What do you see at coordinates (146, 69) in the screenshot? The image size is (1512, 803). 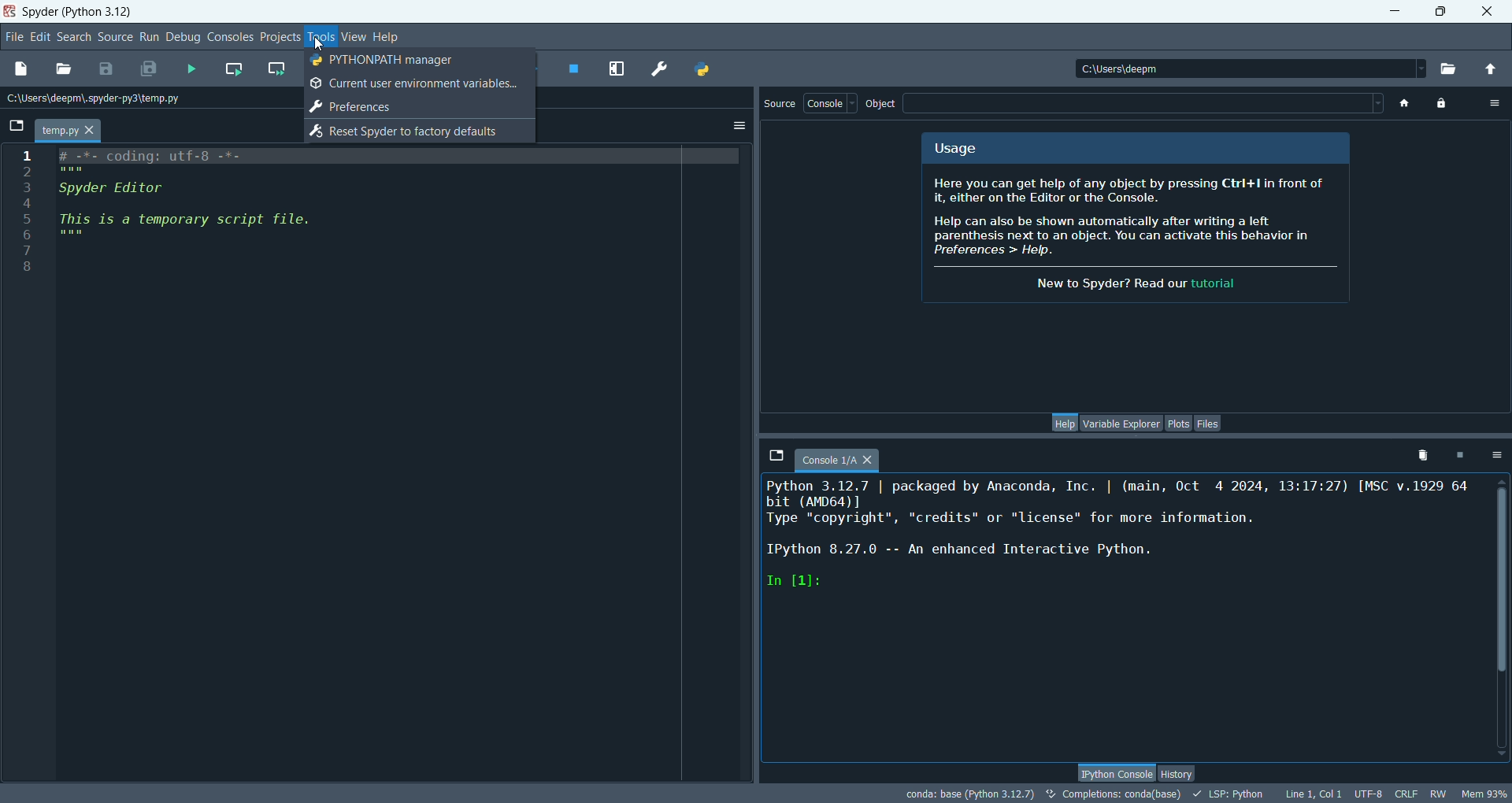 I see `save all files` at bounding box center [146, 69].